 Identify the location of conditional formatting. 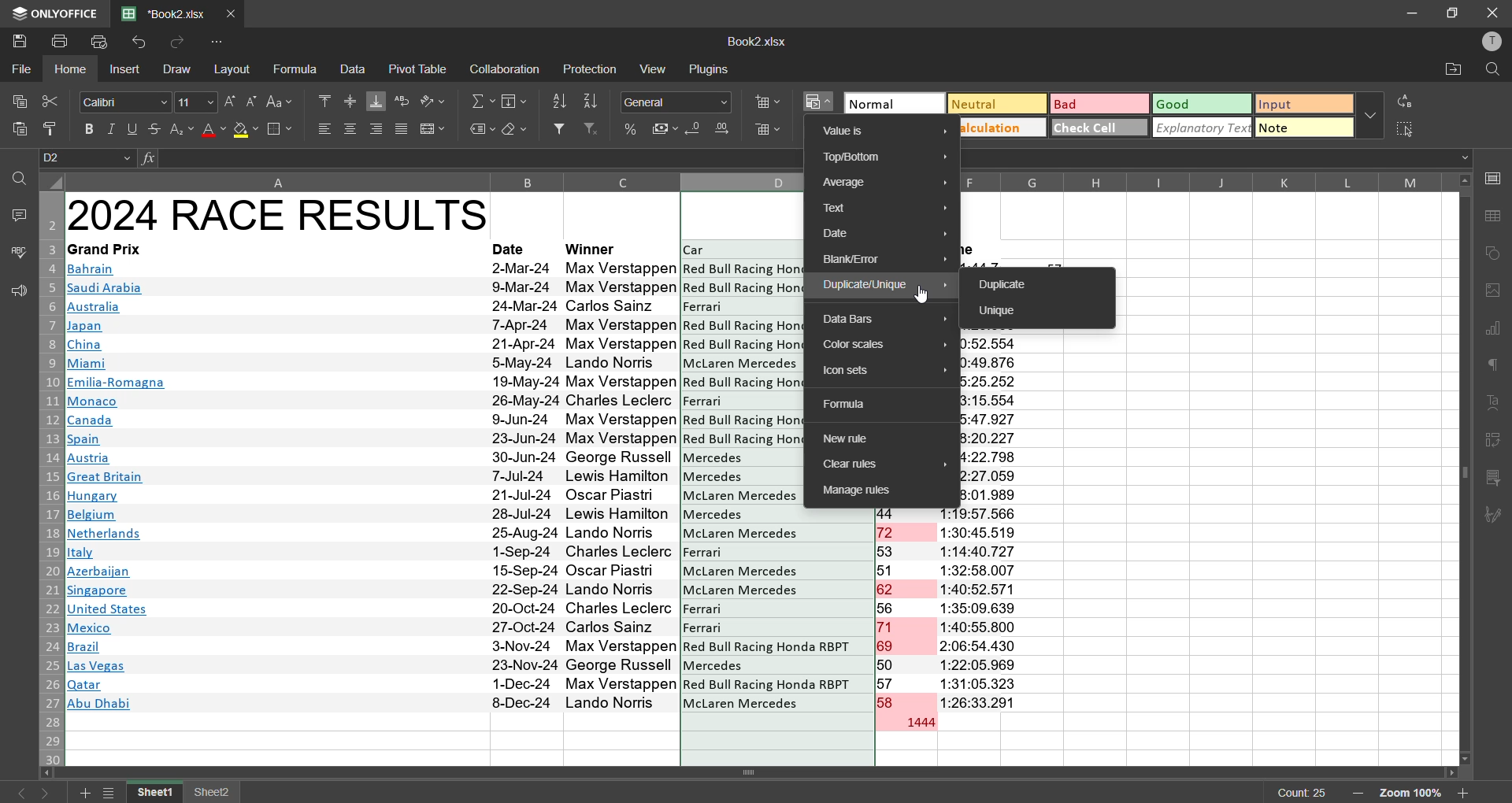
(821, 102).